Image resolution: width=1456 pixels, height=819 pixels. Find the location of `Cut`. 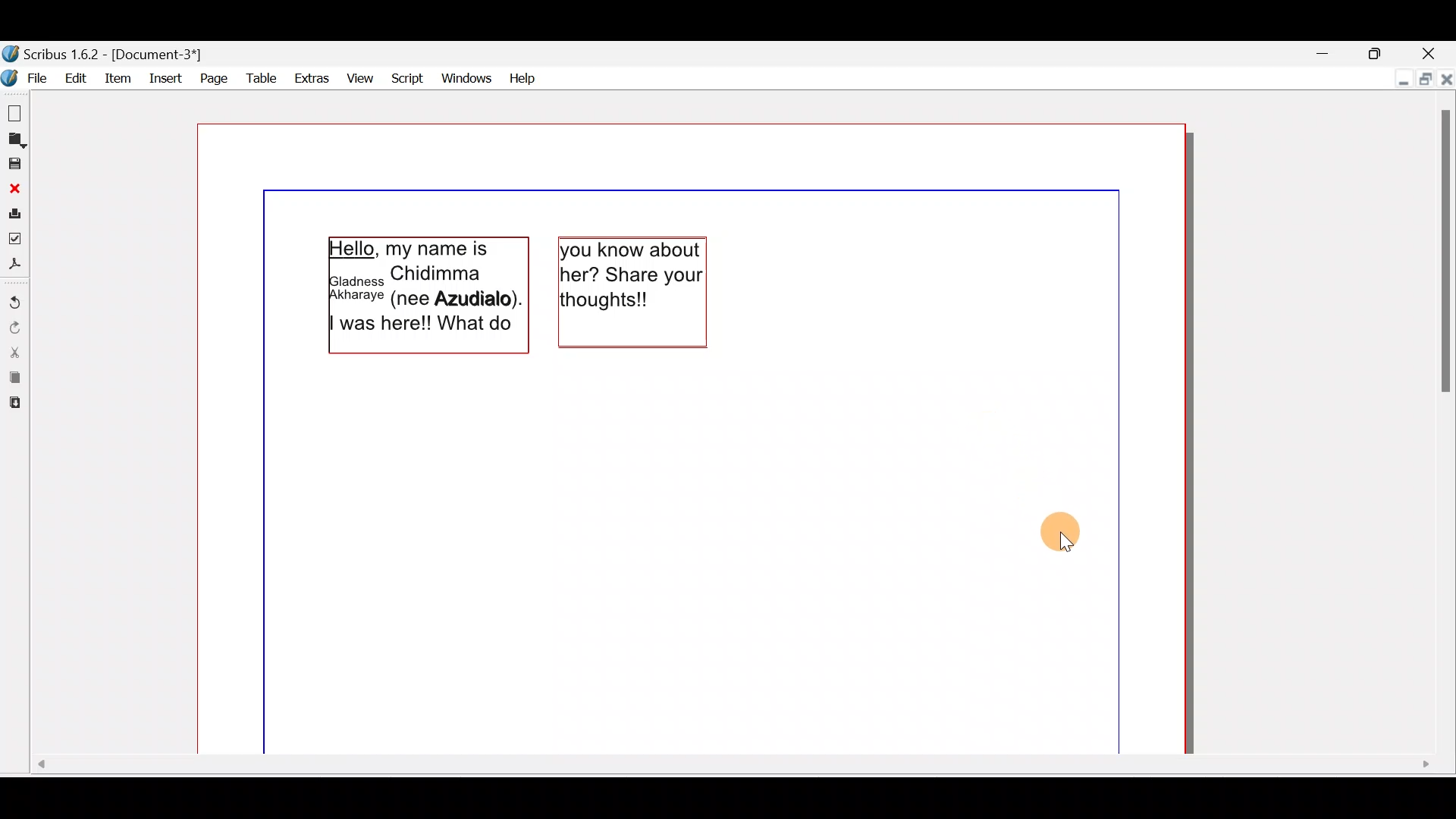

Cut is located at coordinates (15, 352).